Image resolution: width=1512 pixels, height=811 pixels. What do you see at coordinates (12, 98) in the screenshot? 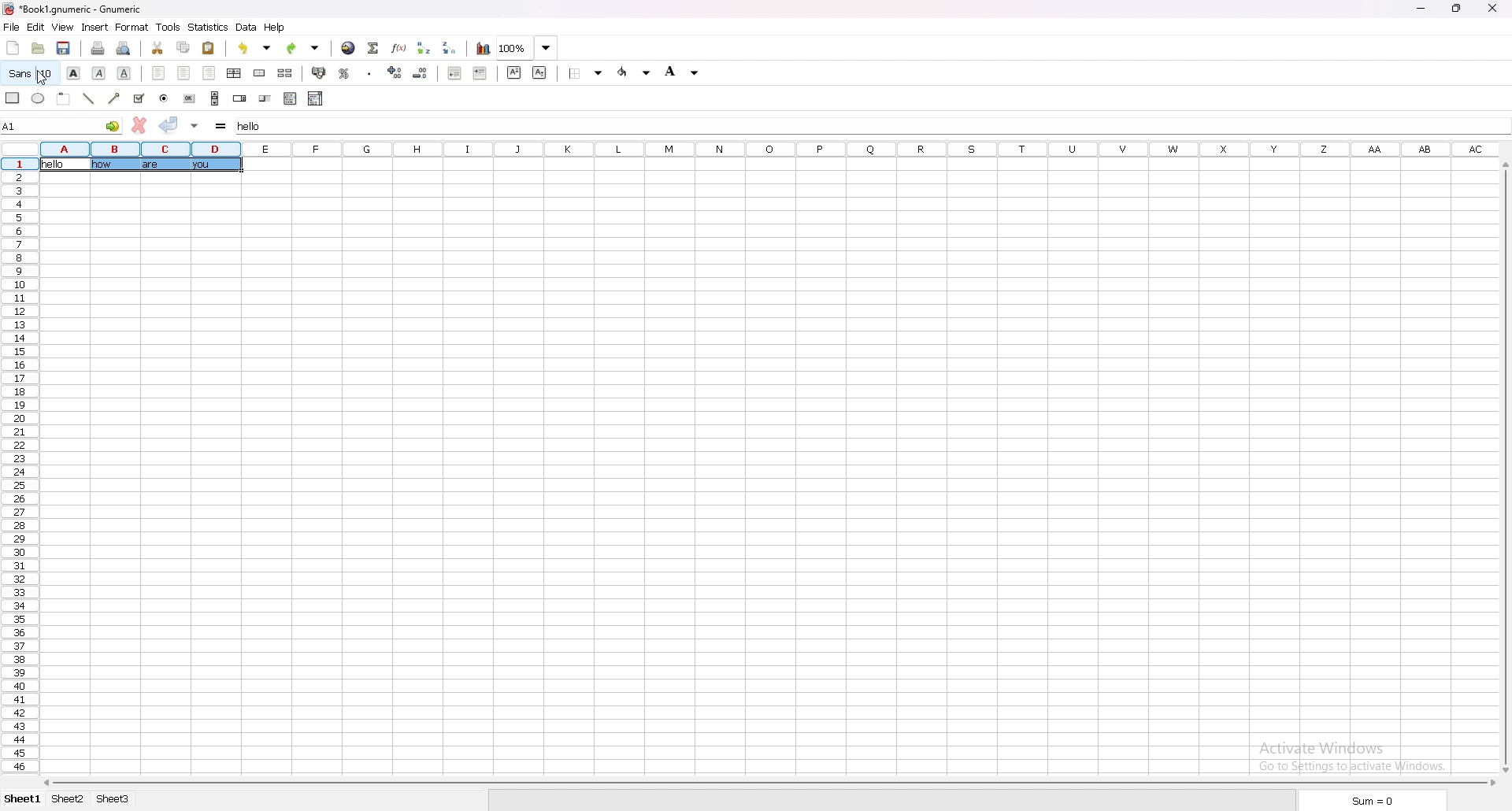
I see `rectangle` at bounding box center [12, 98].